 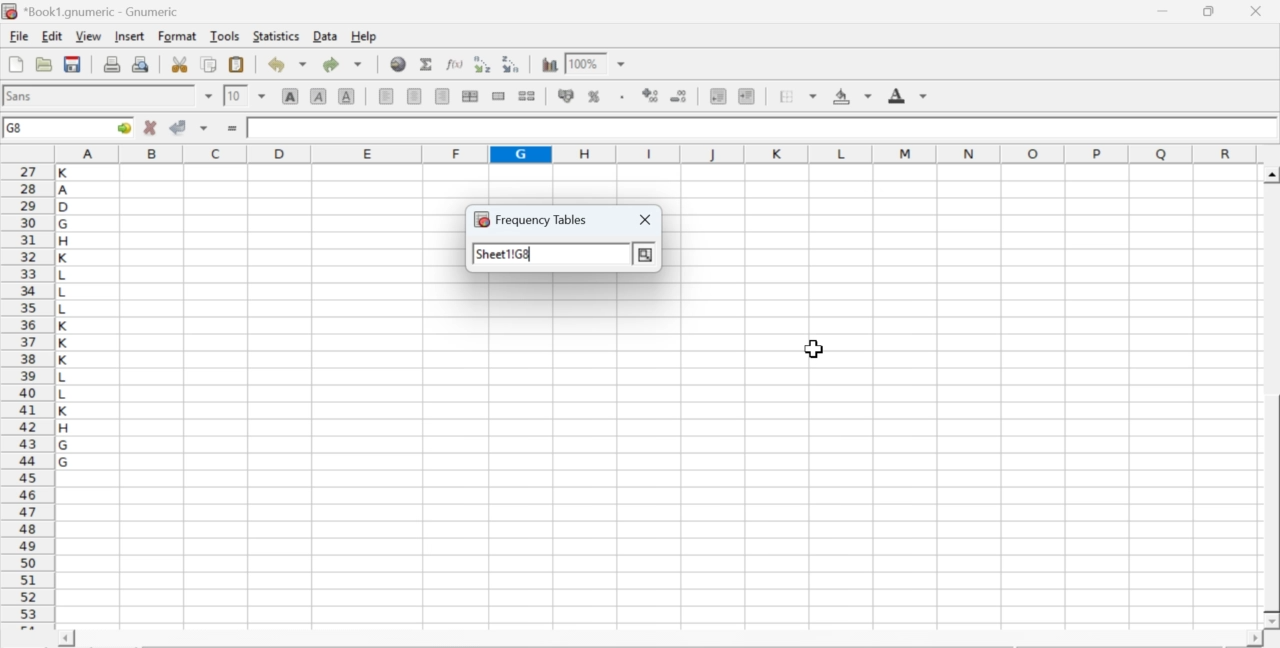 What do you see at coordinates (210, 96) in the screenshot?
I see `drop down` at bounding box center [210, 96].